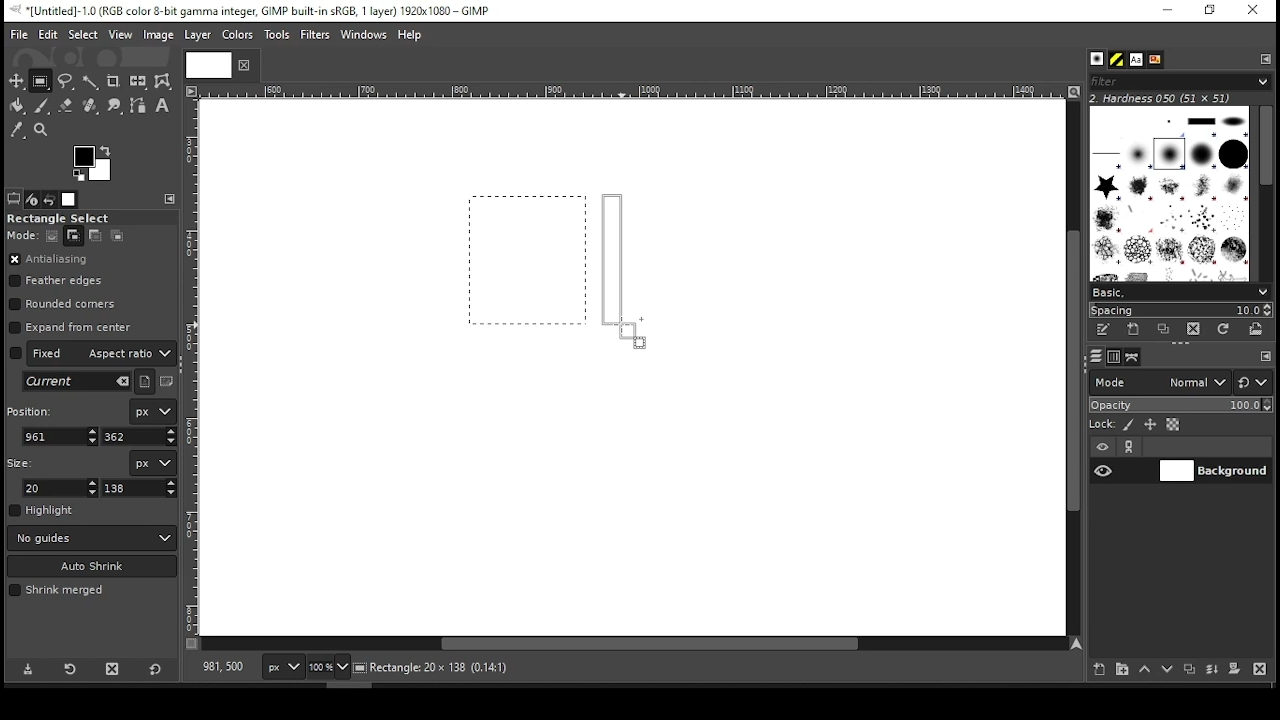 This screenshot has height=720, width=1280. What do you see at coordinates (1192, 671) in the screenshot?
I see `duplicate layer` at bounding box center [1192, 671].